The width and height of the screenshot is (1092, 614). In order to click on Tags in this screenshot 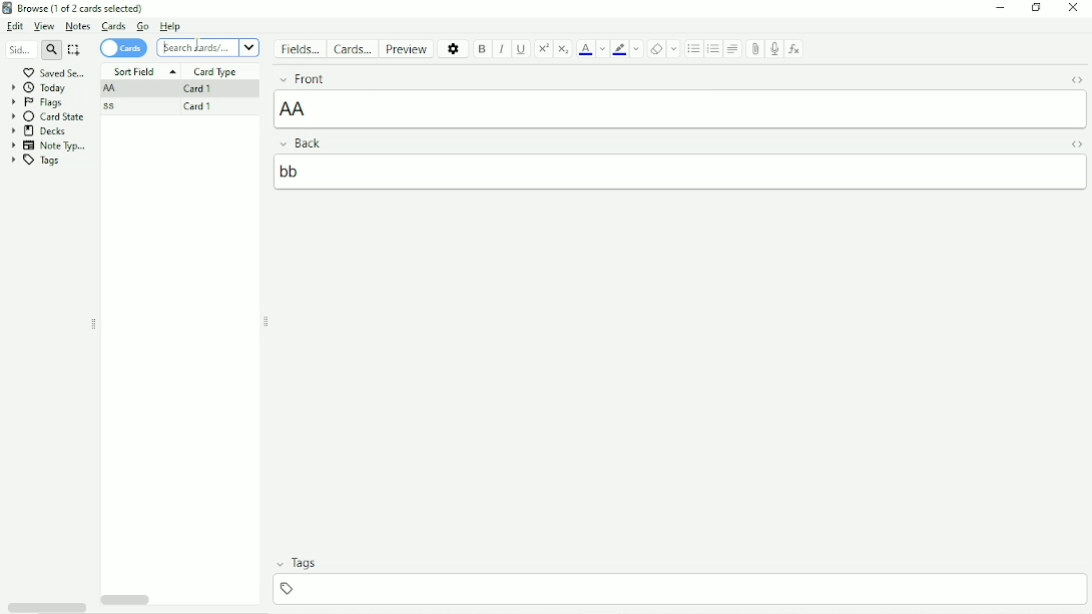, I will do `click(679, 564)`.